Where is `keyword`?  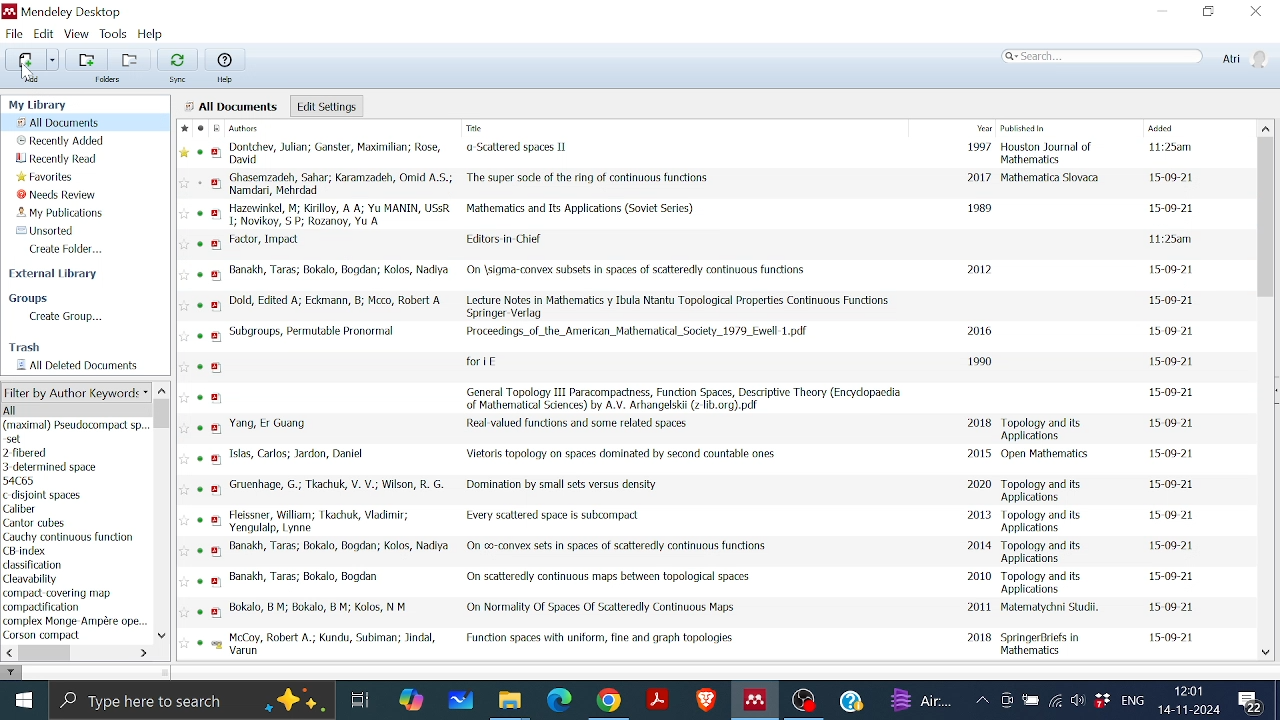
keyword is located at coordinates (27, 509).